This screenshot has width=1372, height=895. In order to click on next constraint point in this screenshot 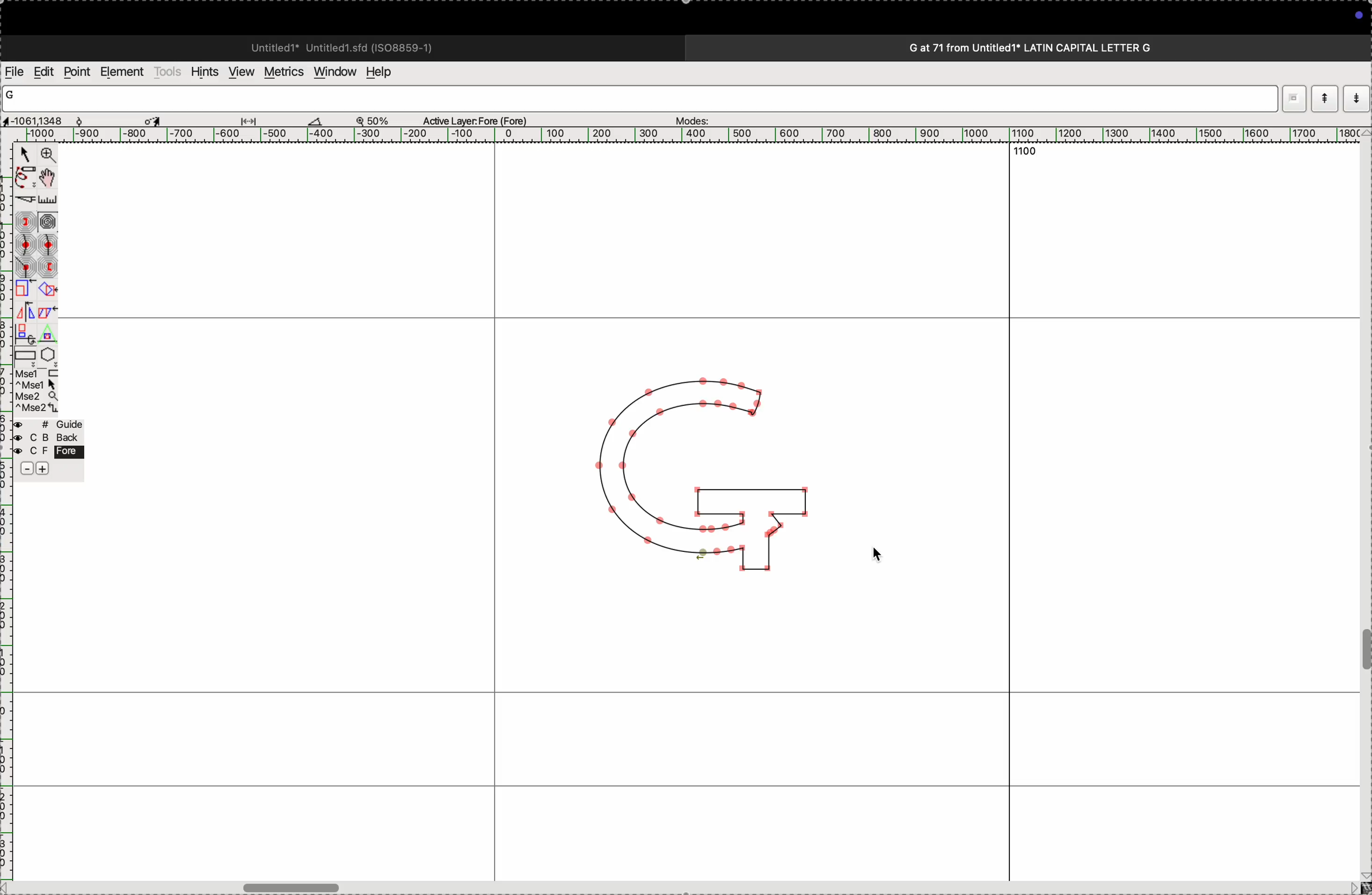, I will do `click(25, 222)`.